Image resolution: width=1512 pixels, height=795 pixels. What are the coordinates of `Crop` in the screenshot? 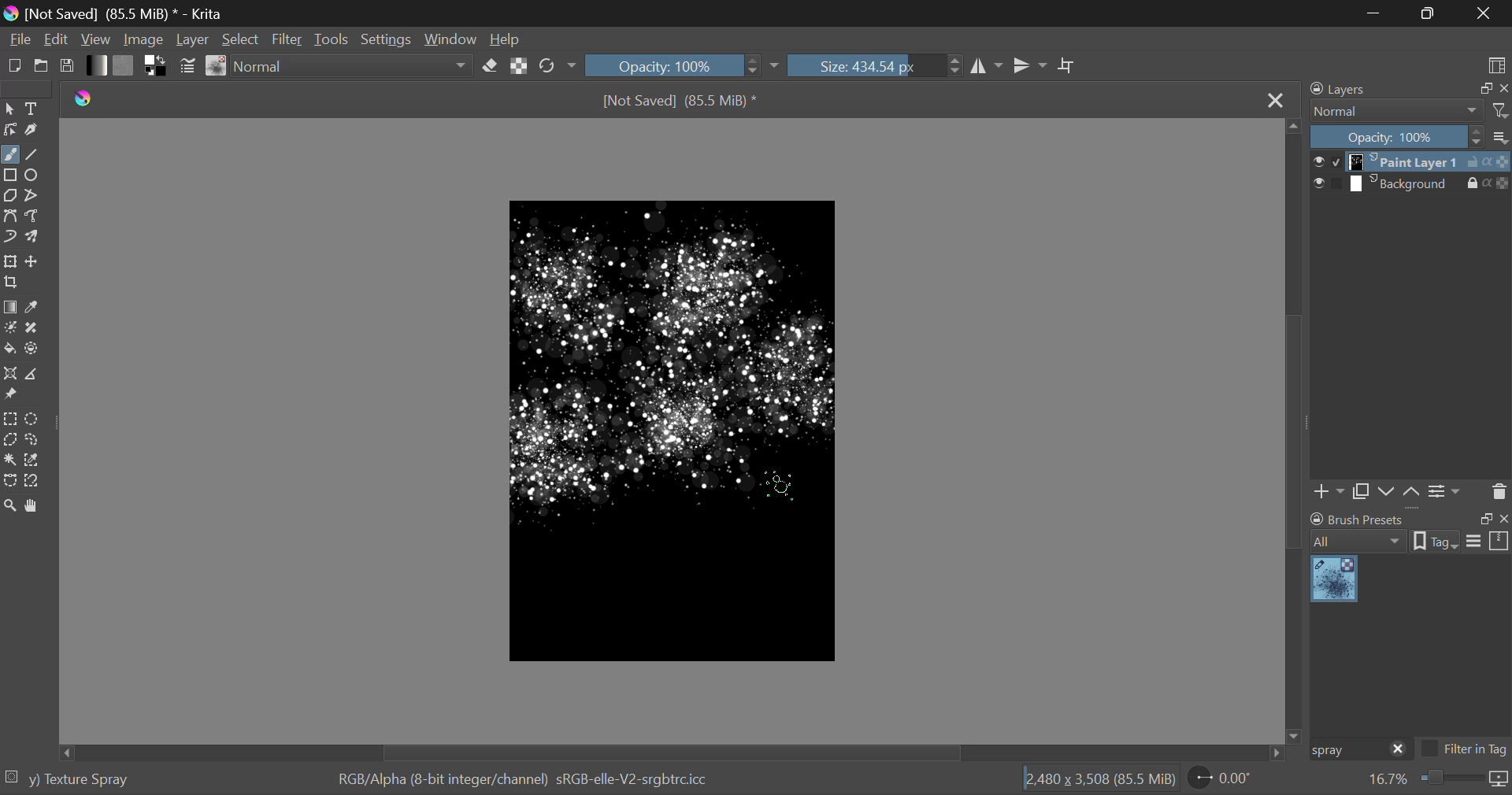 It's located at (1069, 66).